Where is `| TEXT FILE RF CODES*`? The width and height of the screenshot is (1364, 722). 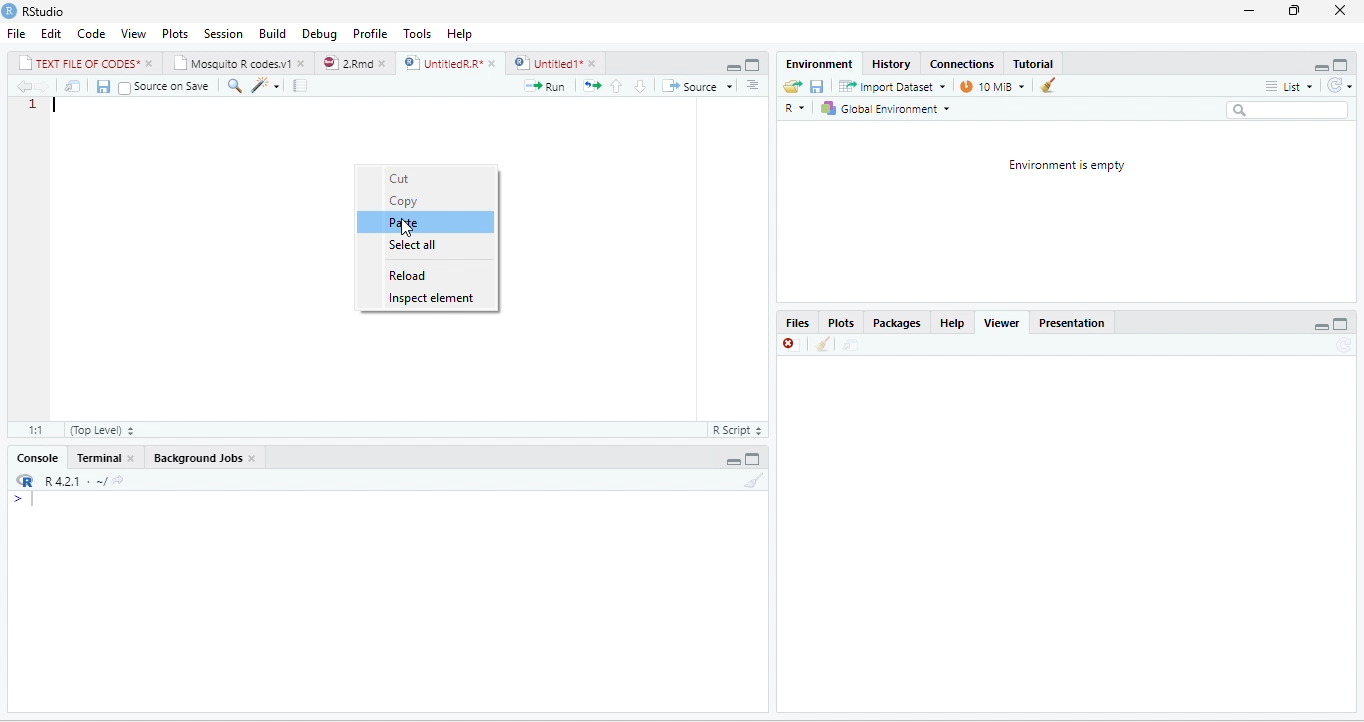
| TEXT FILE RF CODES* is located at coordinates (78, 61).